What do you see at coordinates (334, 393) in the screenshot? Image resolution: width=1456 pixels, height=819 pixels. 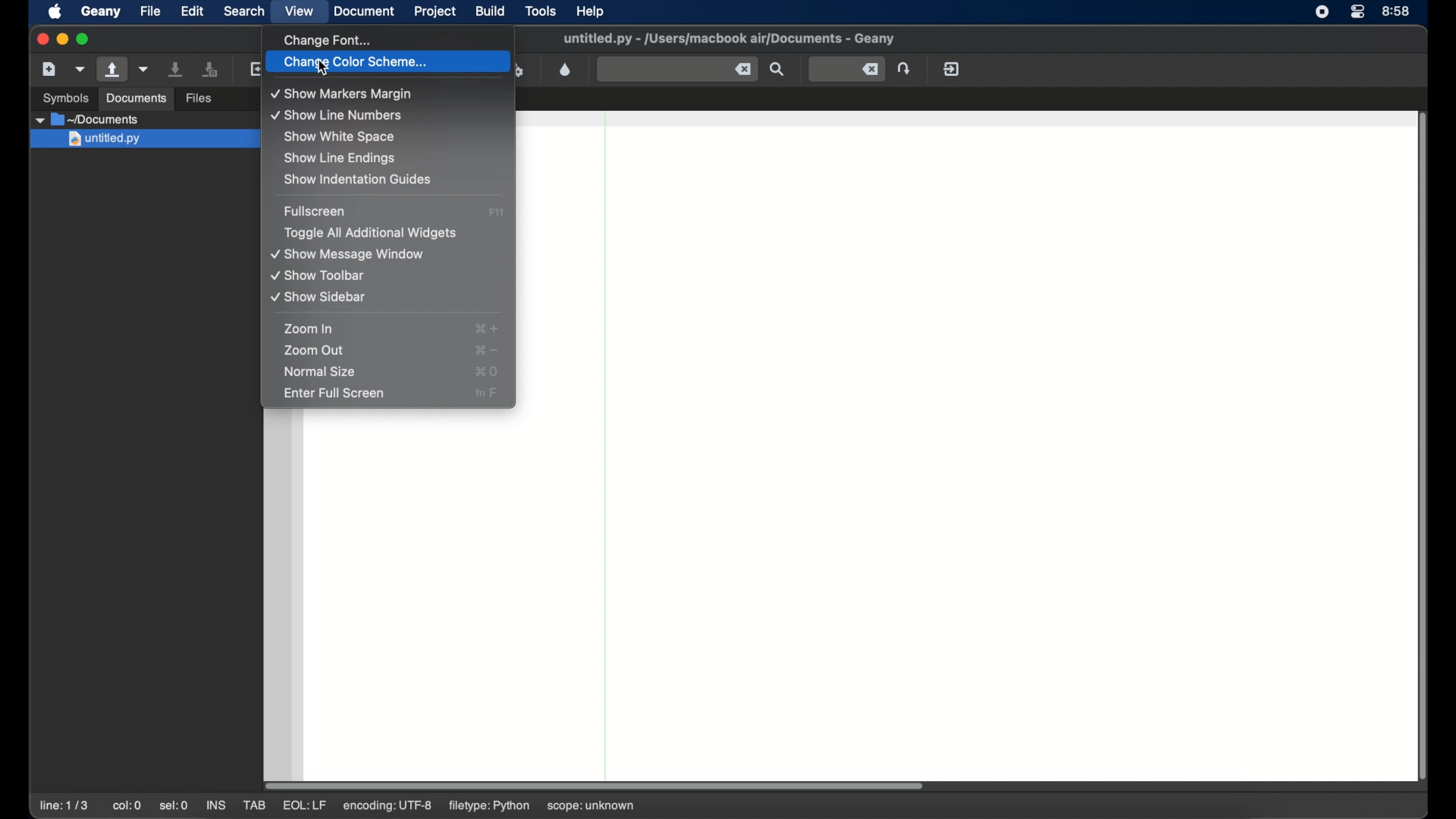 I see `enter full screen` at bounding box center [334, 393].